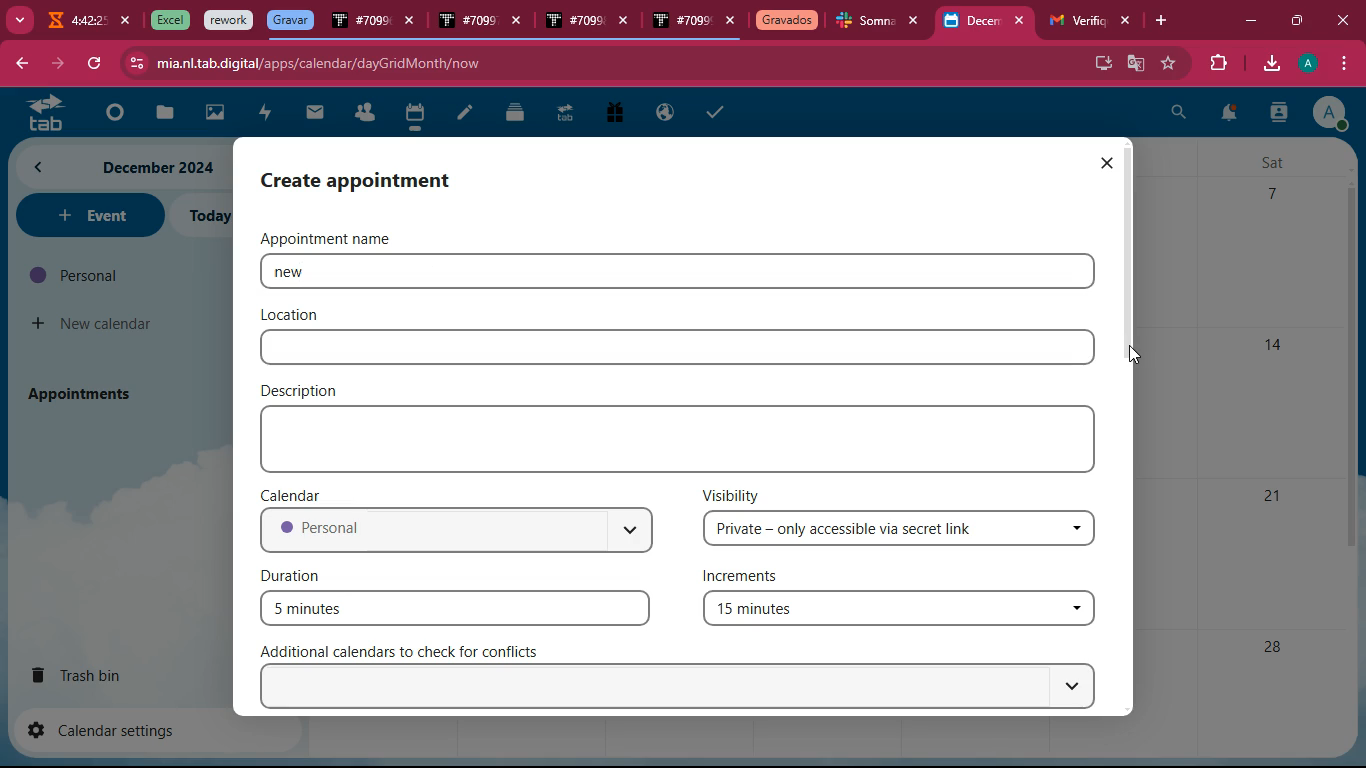 The image size is (1366, 768). I want to click on user, so click(1278, 115).